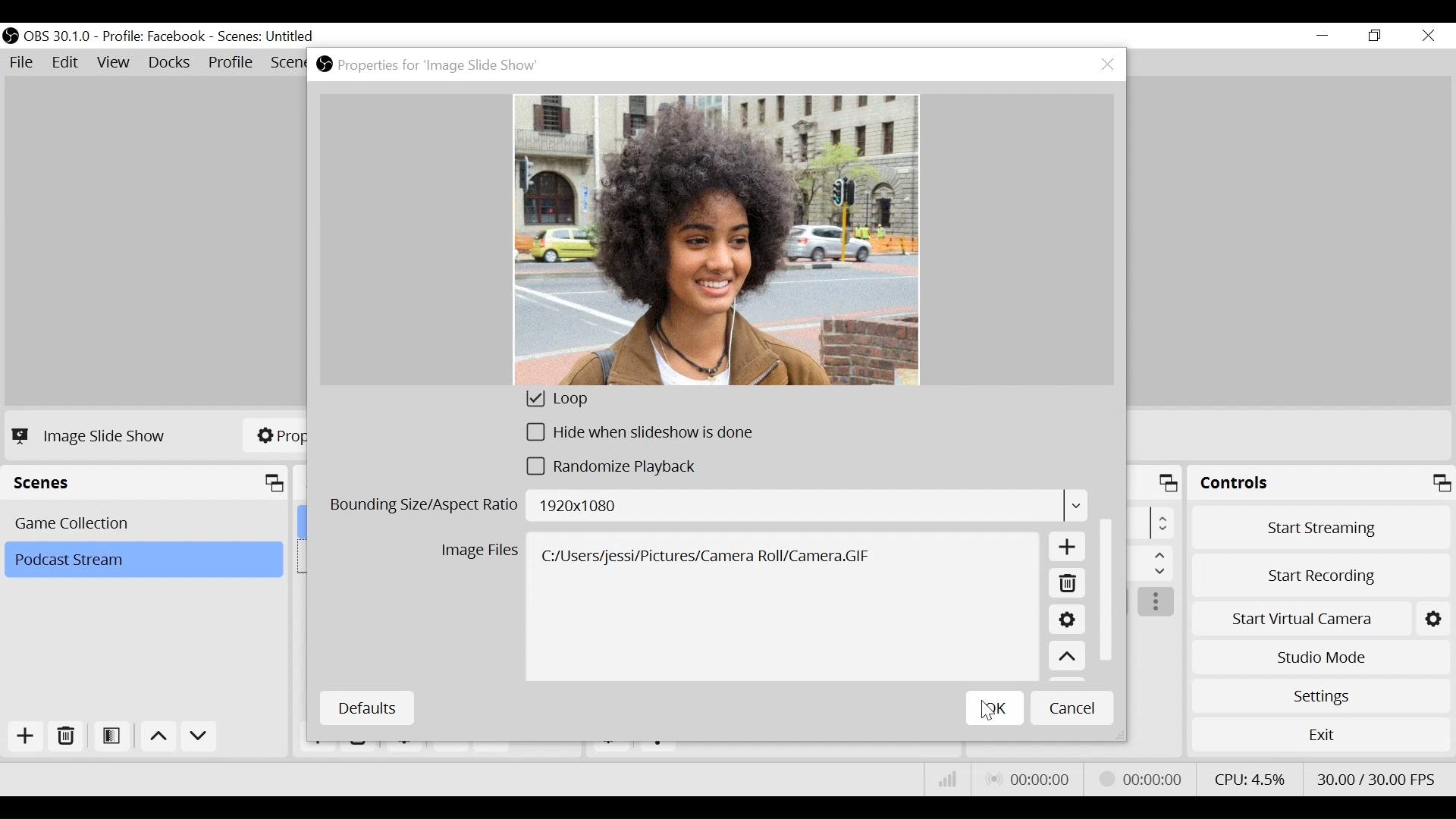 Image resolution: width=1456 pixels, height=819 pixels. I want to click on Exit, so click(1321, 738).